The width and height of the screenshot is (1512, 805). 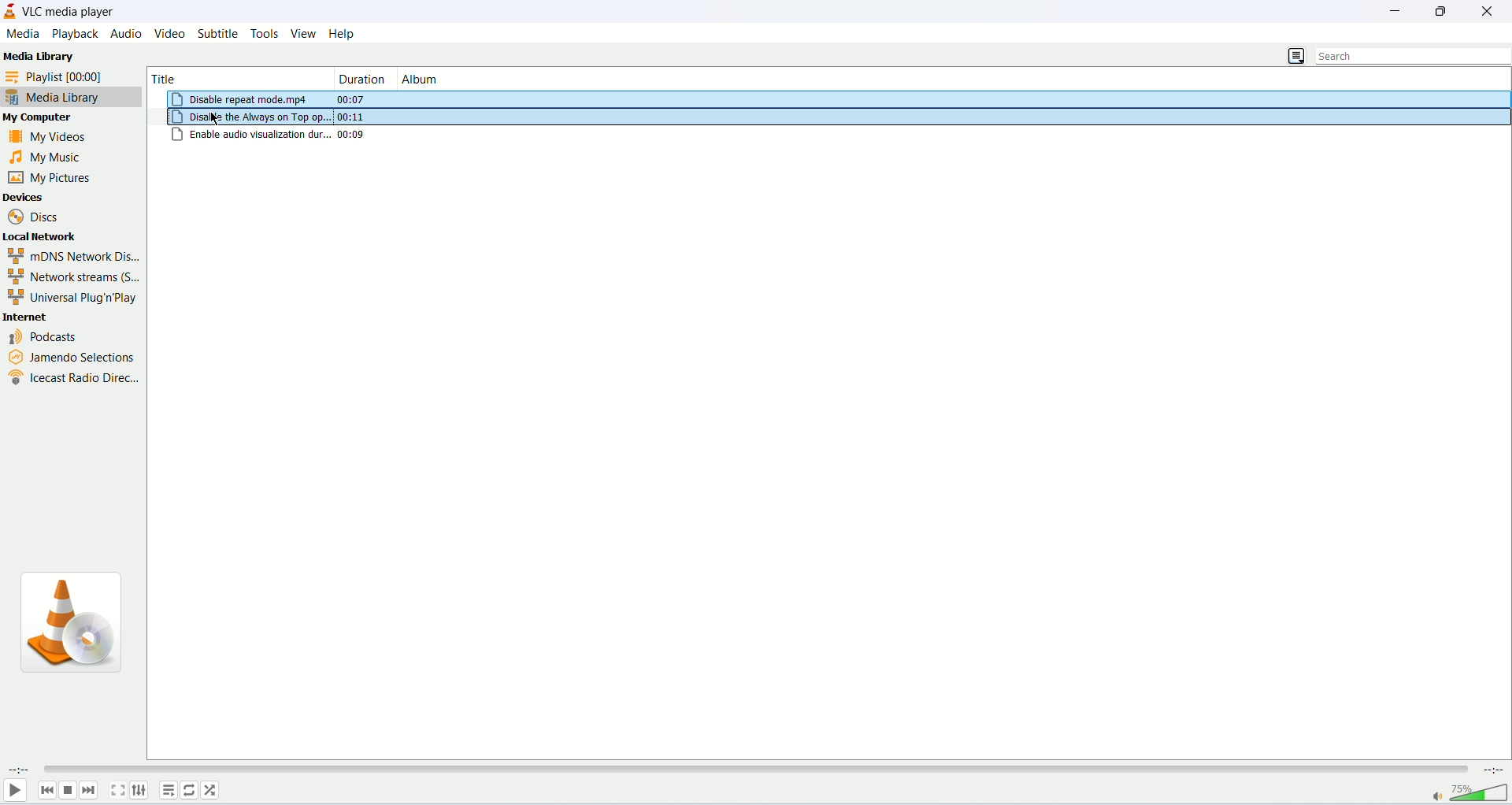 I want to click on Media Library, so click(x=39, y=57).